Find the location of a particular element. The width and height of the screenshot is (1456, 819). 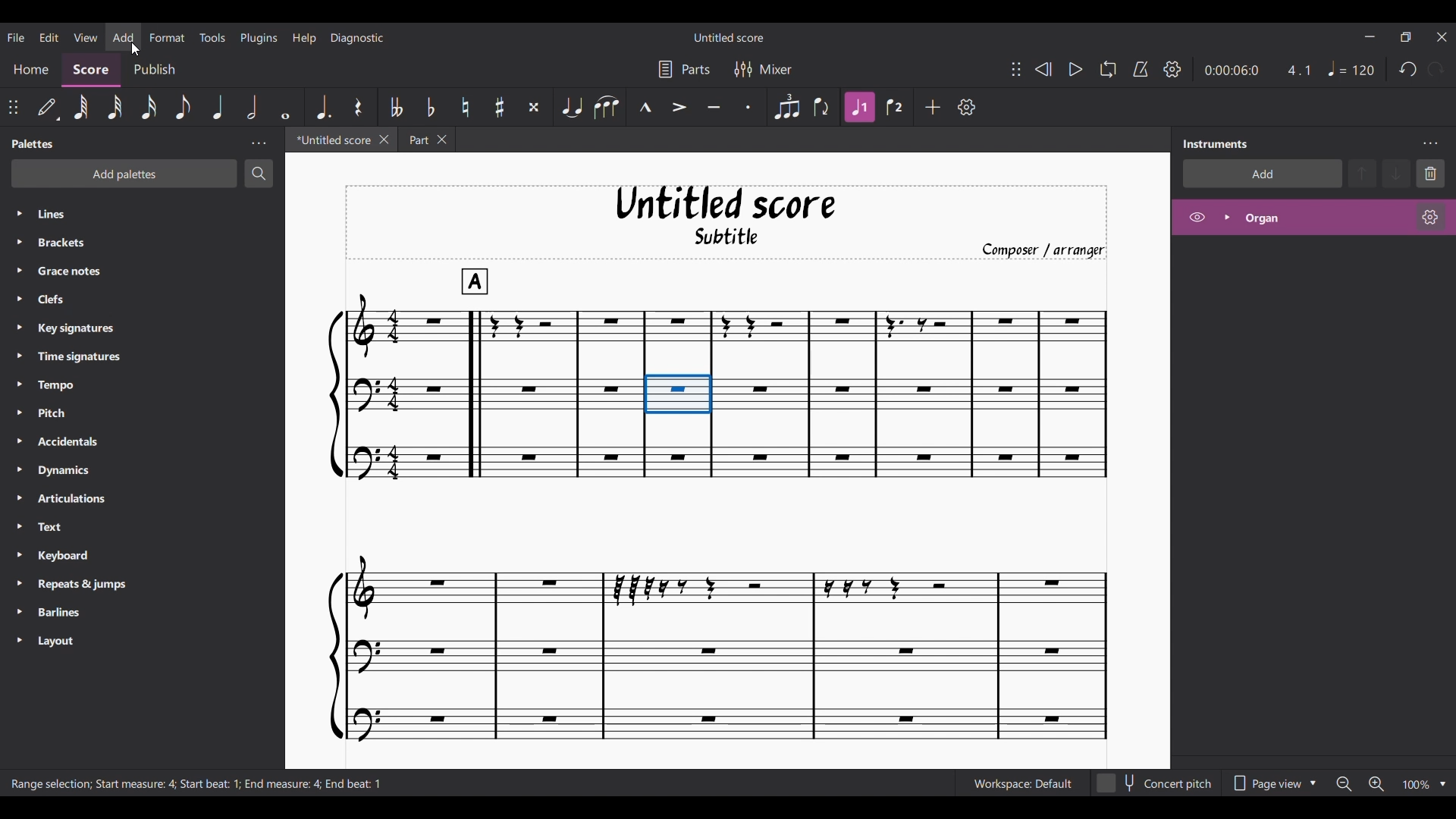

Home section is located at coordinates (30, 69).